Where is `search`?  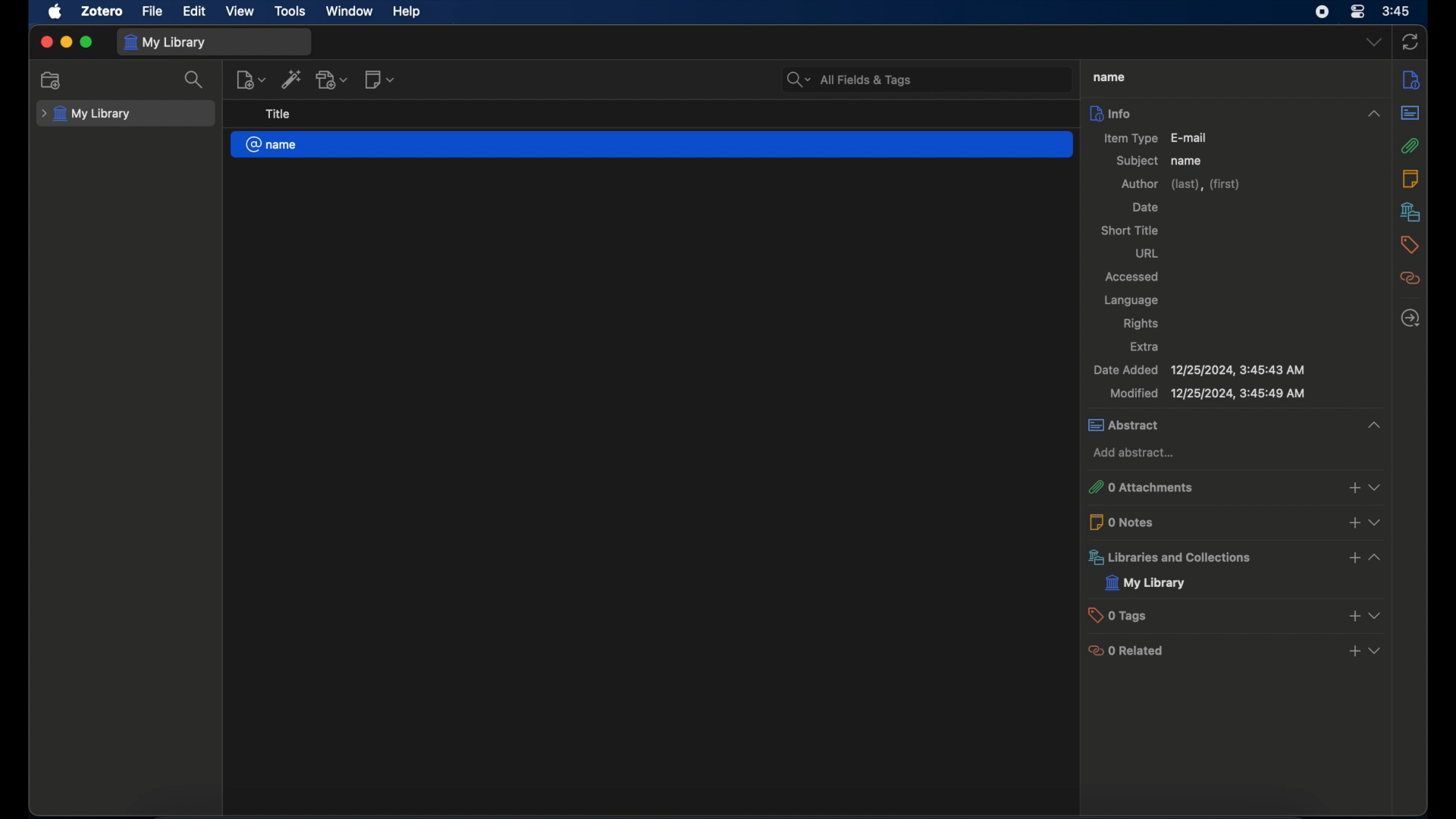 search is located at coordinates (195, 80).